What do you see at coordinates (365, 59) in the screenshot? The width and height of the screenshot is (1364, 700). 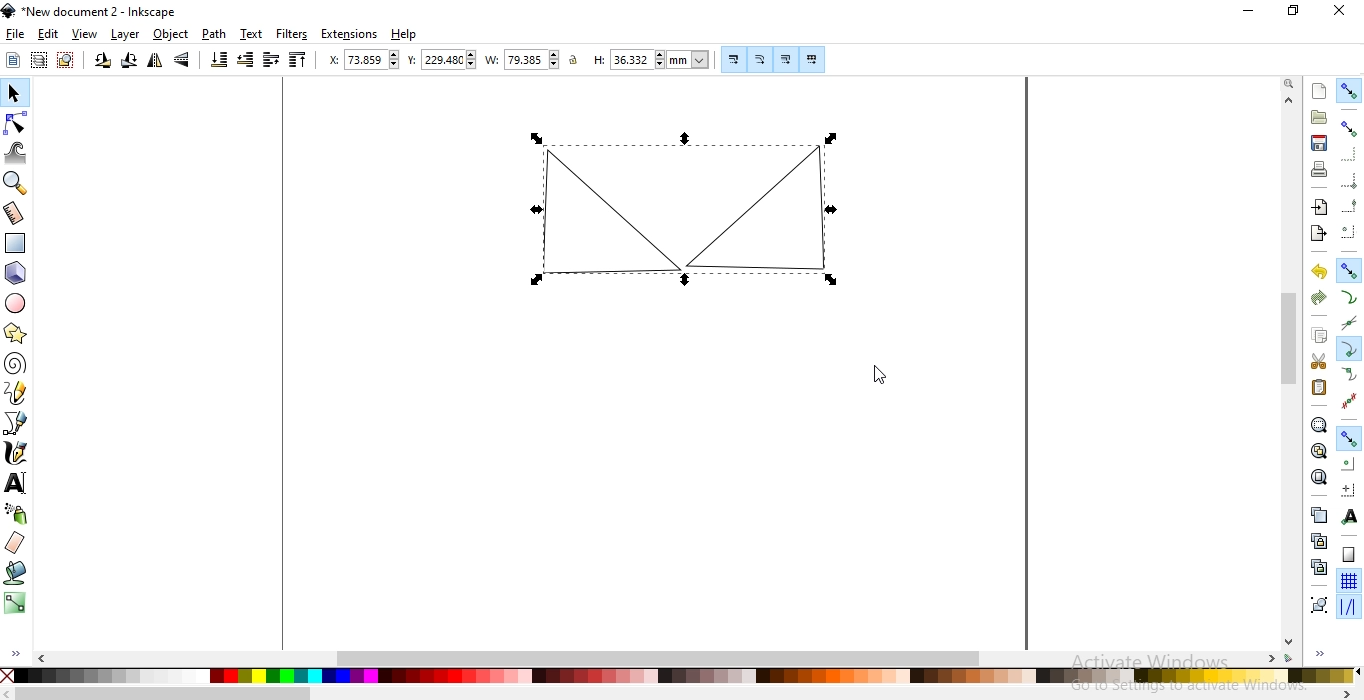 I see `horizontal coordinate of selection` at bounding box center [365, 59].